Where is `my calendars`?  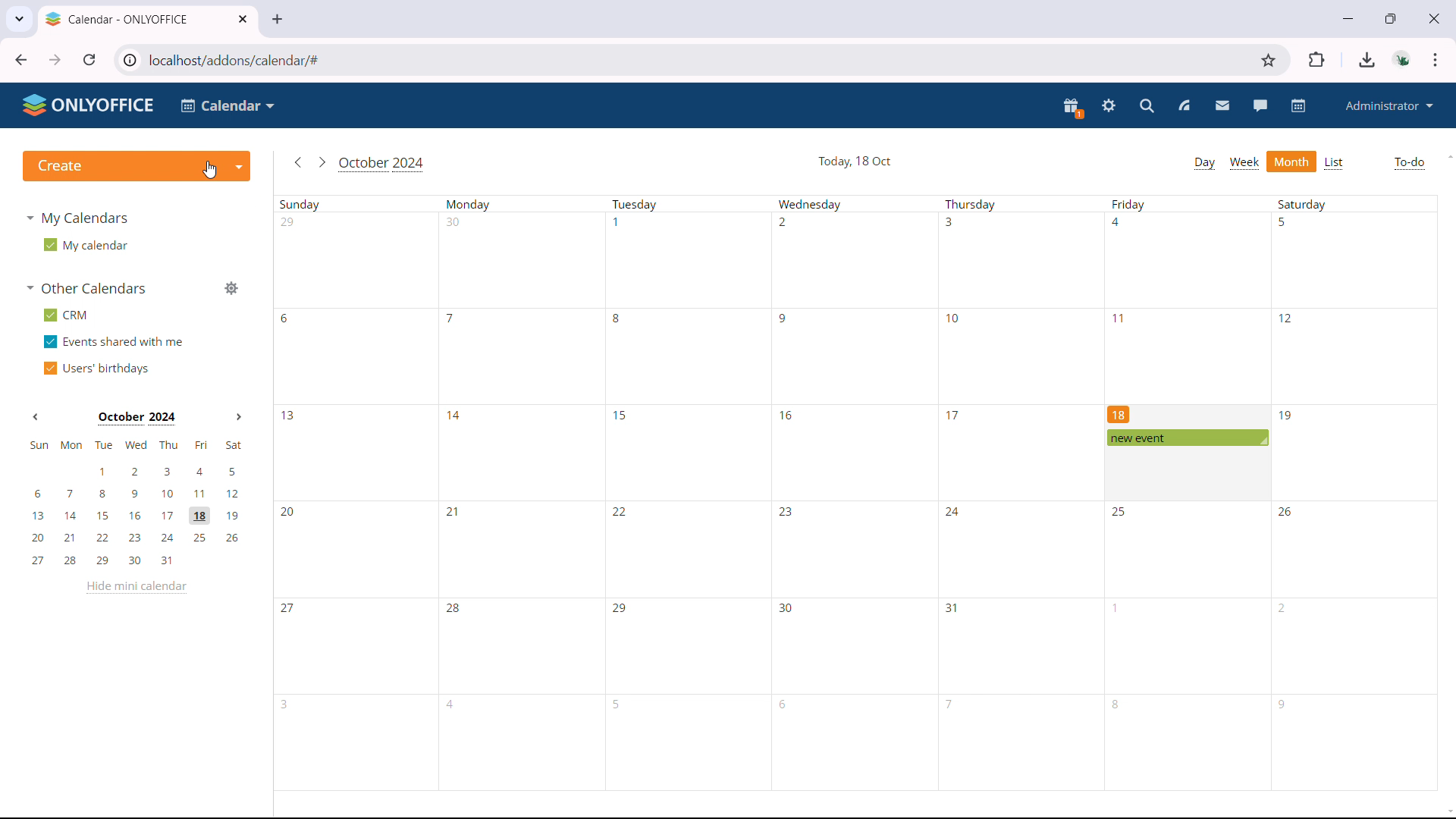 my calendars is located at coordinates (80, 218).